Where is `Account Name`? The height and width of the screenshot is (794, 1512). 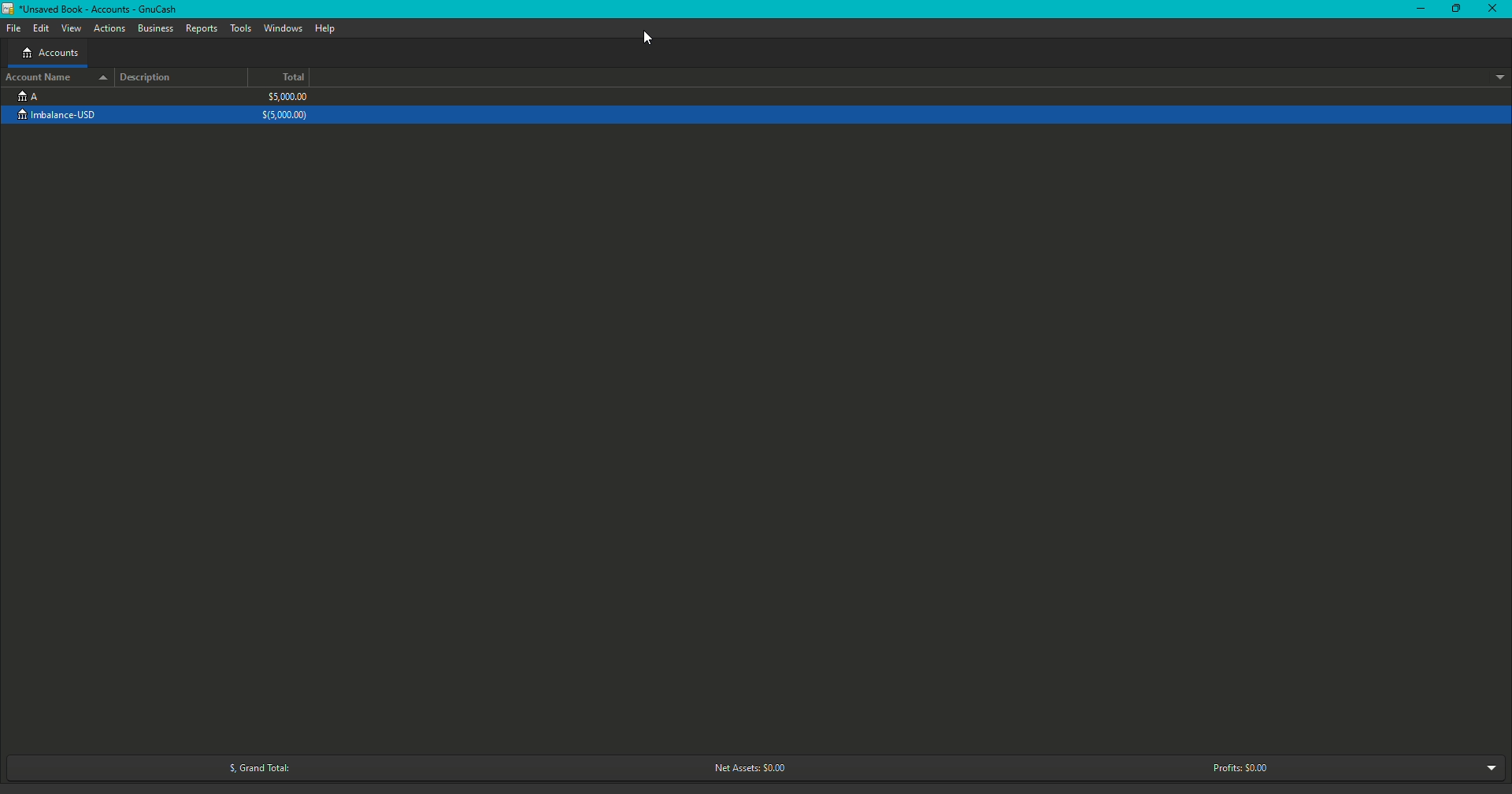 Account Name is located at coordinates (55, 76).